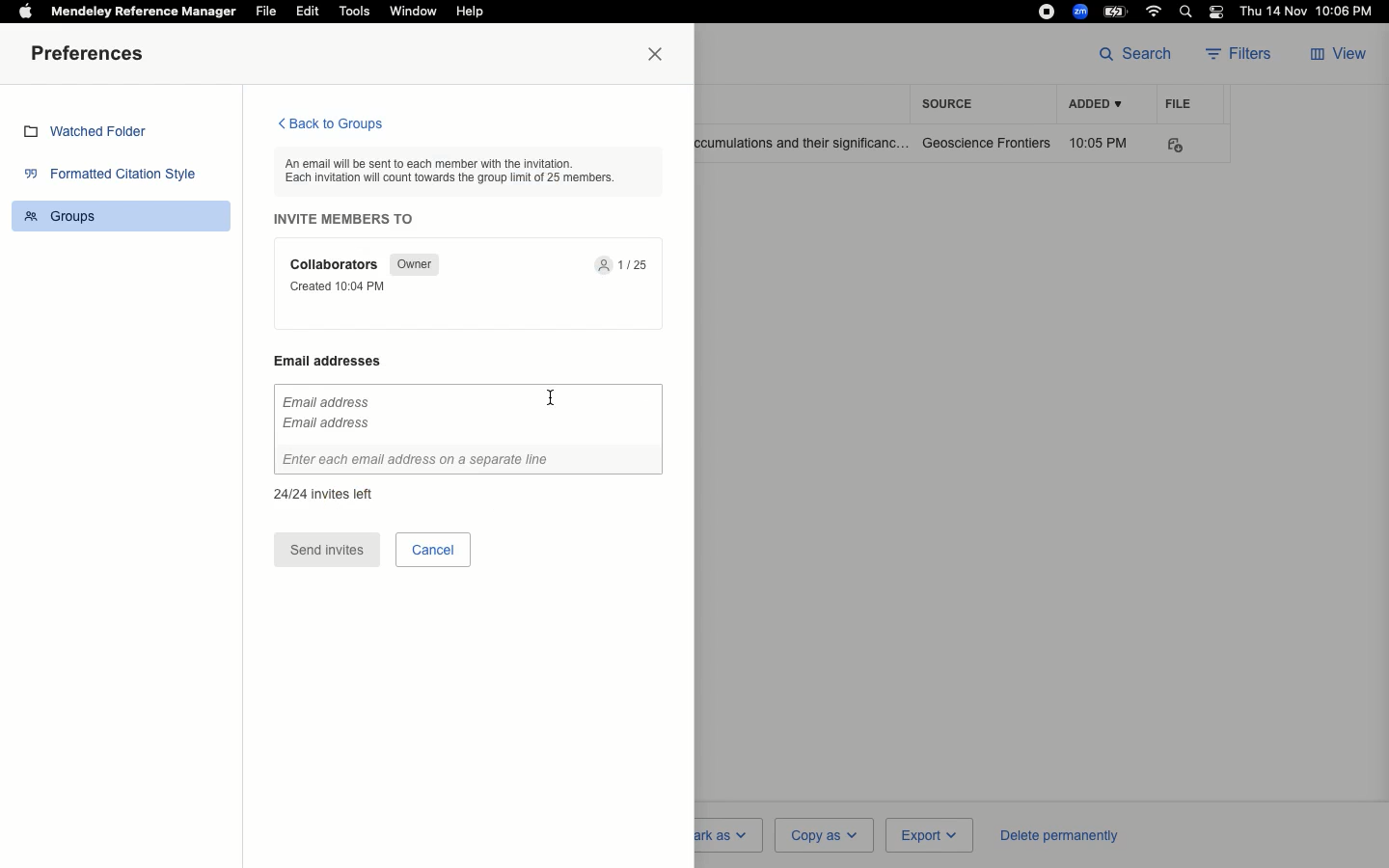 This screenshot has height=868, width=1389. Describe the element at coordinates (1047, 12) in the screenshot. I see `Recording` at that location.